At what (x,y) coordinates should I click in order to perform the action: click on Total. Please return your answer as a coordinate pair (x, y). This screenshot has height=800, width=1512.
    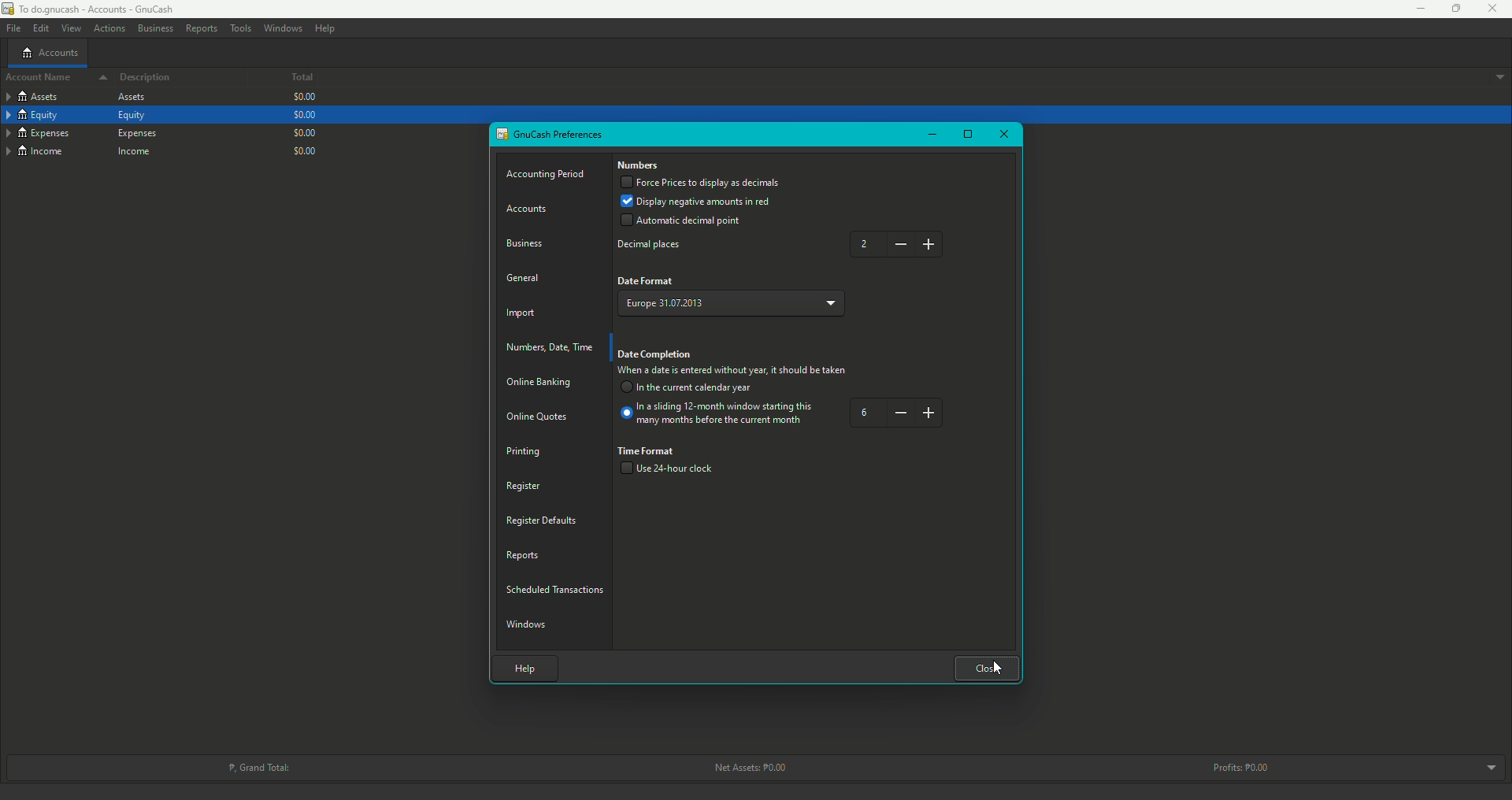
    Looking at the image, I should click on (290, 79).